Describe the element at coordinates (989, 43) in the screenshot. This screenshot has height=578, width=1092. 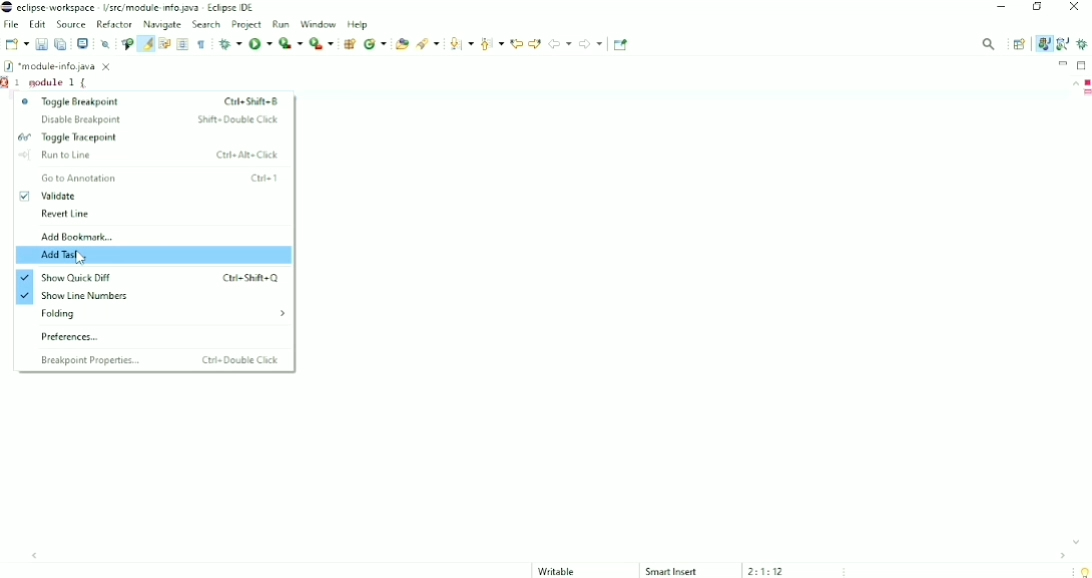
I see `Access commands and other items` at that location.